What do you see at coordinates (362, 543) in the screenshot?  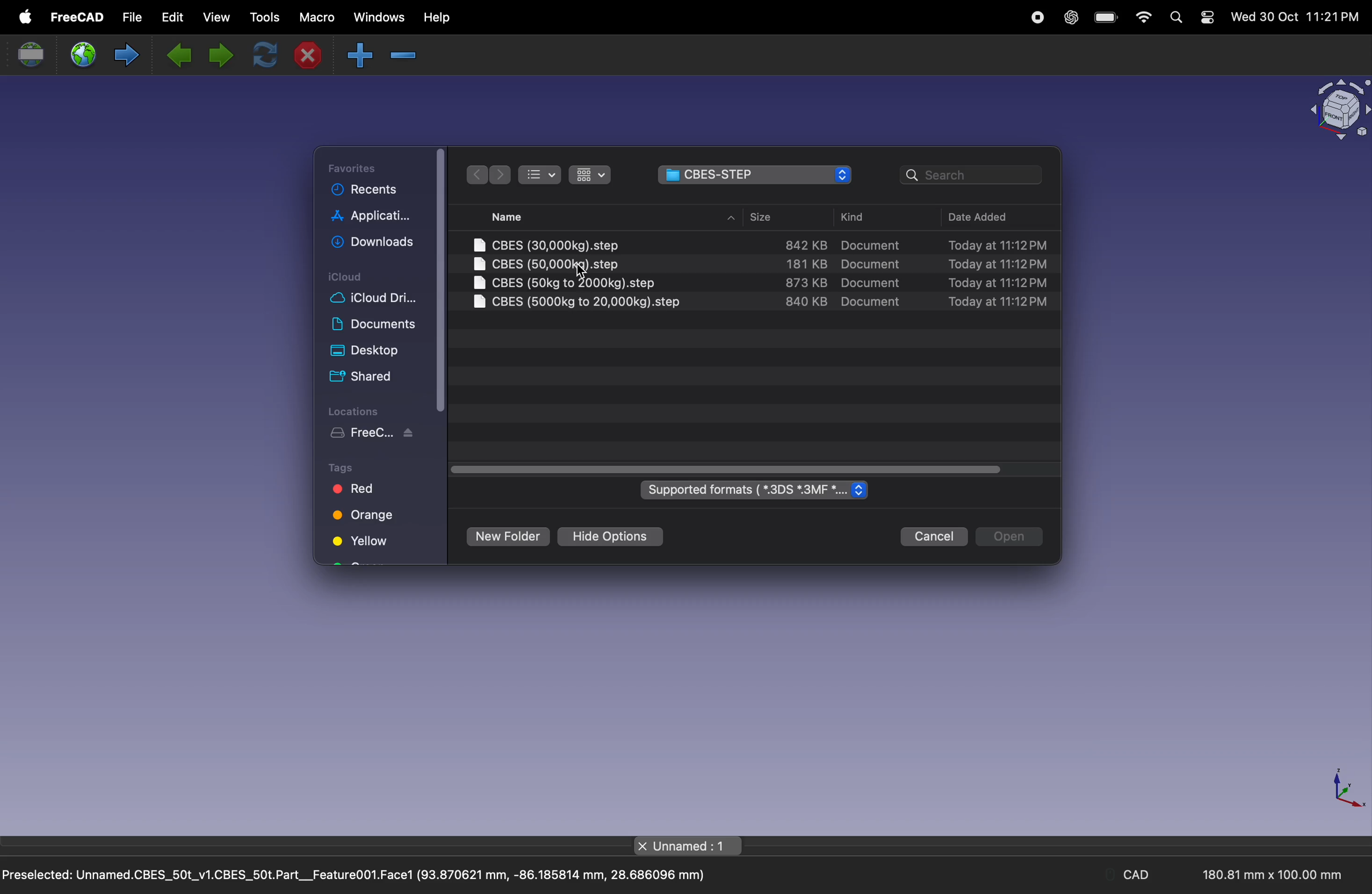 I see `yellow` at bounding box center [362, 543].